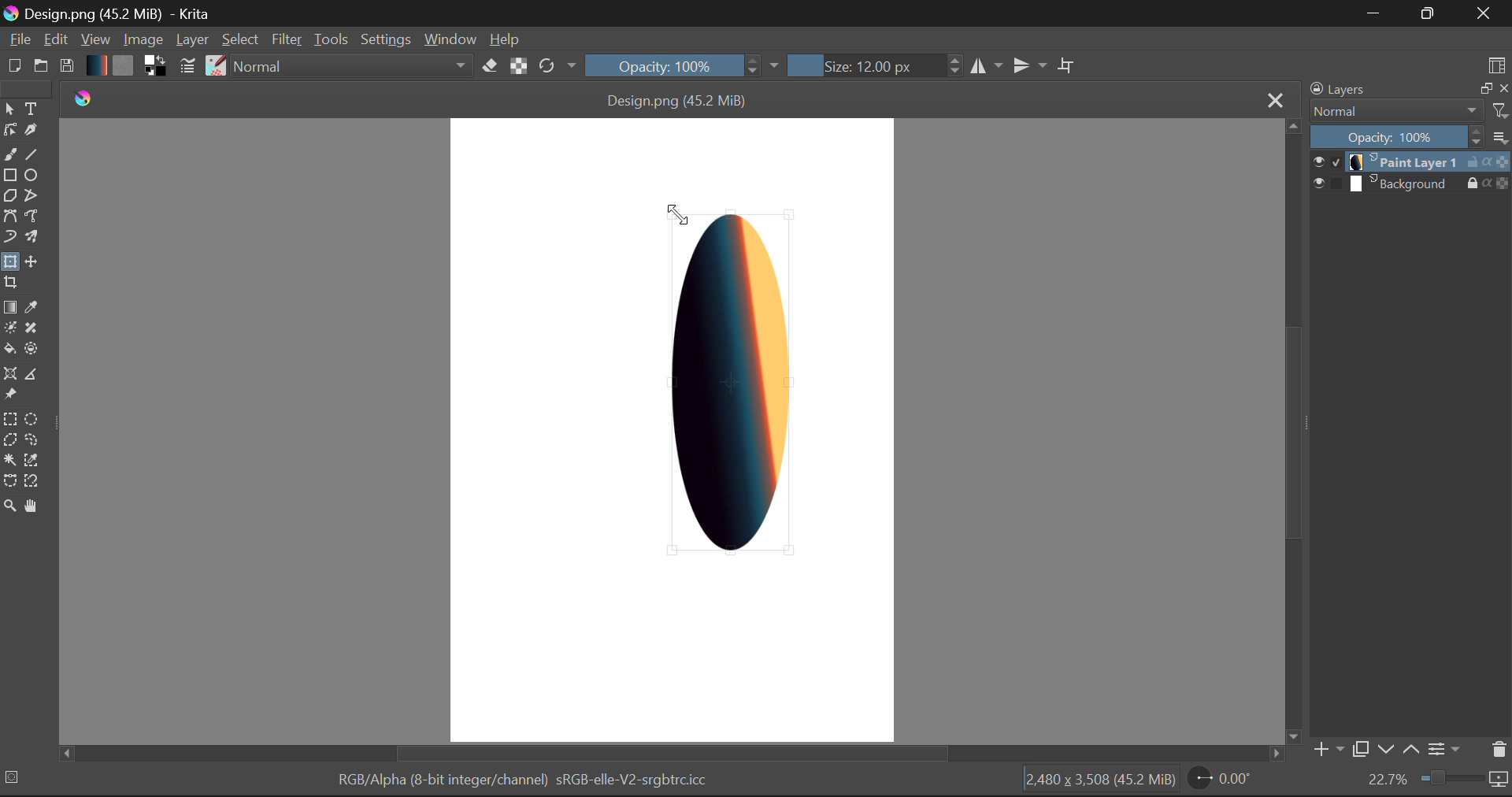  What do you see at coordinates (519, 65) in the screenshot?
I see `Lock Alpha` at bounding box center [519, 65].